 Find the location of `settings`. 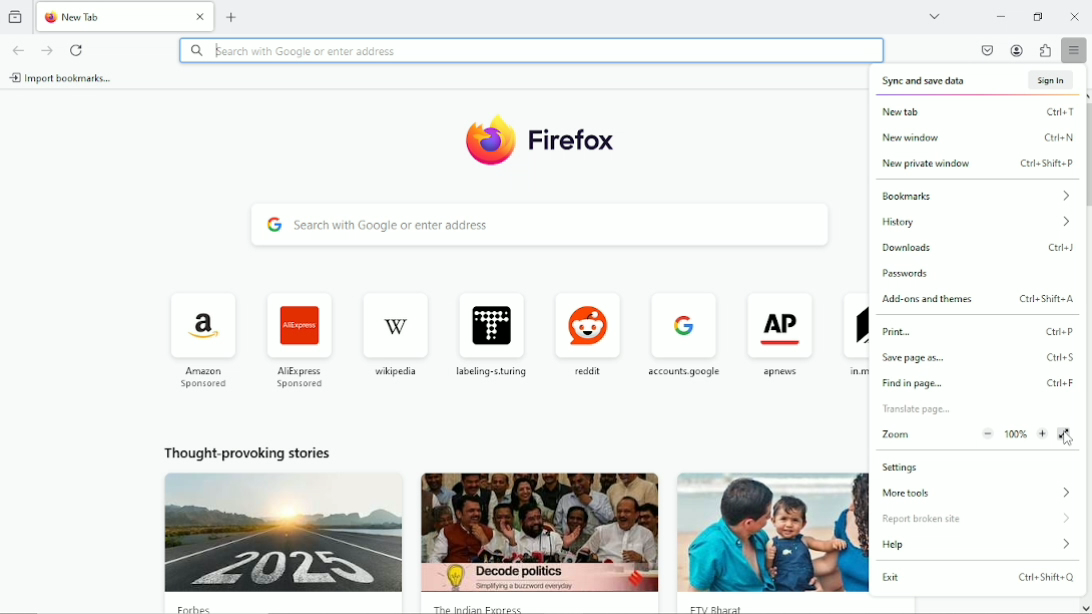

settings is located at coordinates (902, 466).